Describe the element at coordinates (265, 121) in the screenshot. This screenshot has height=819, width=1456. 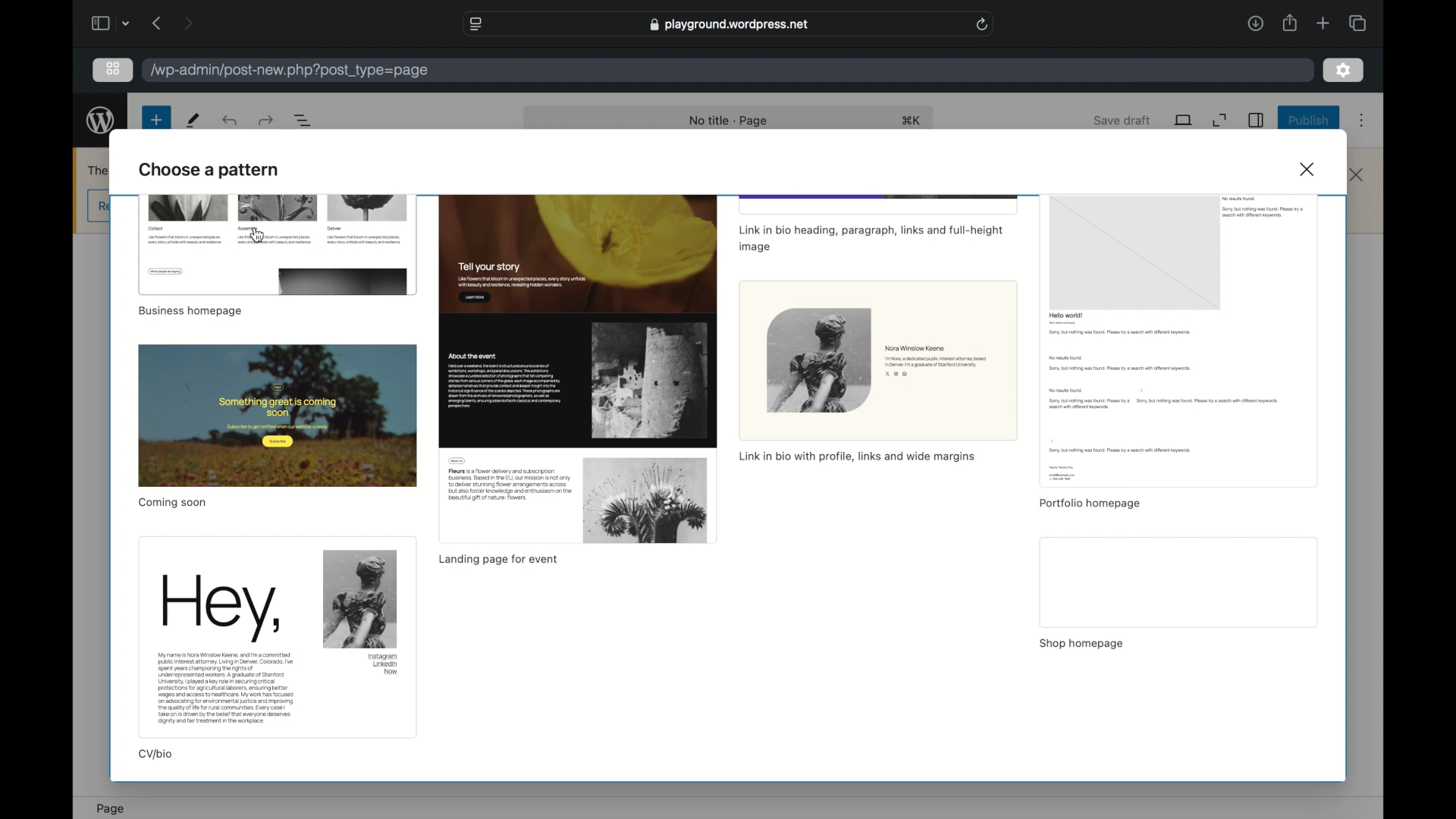
I see `undo` at that location.